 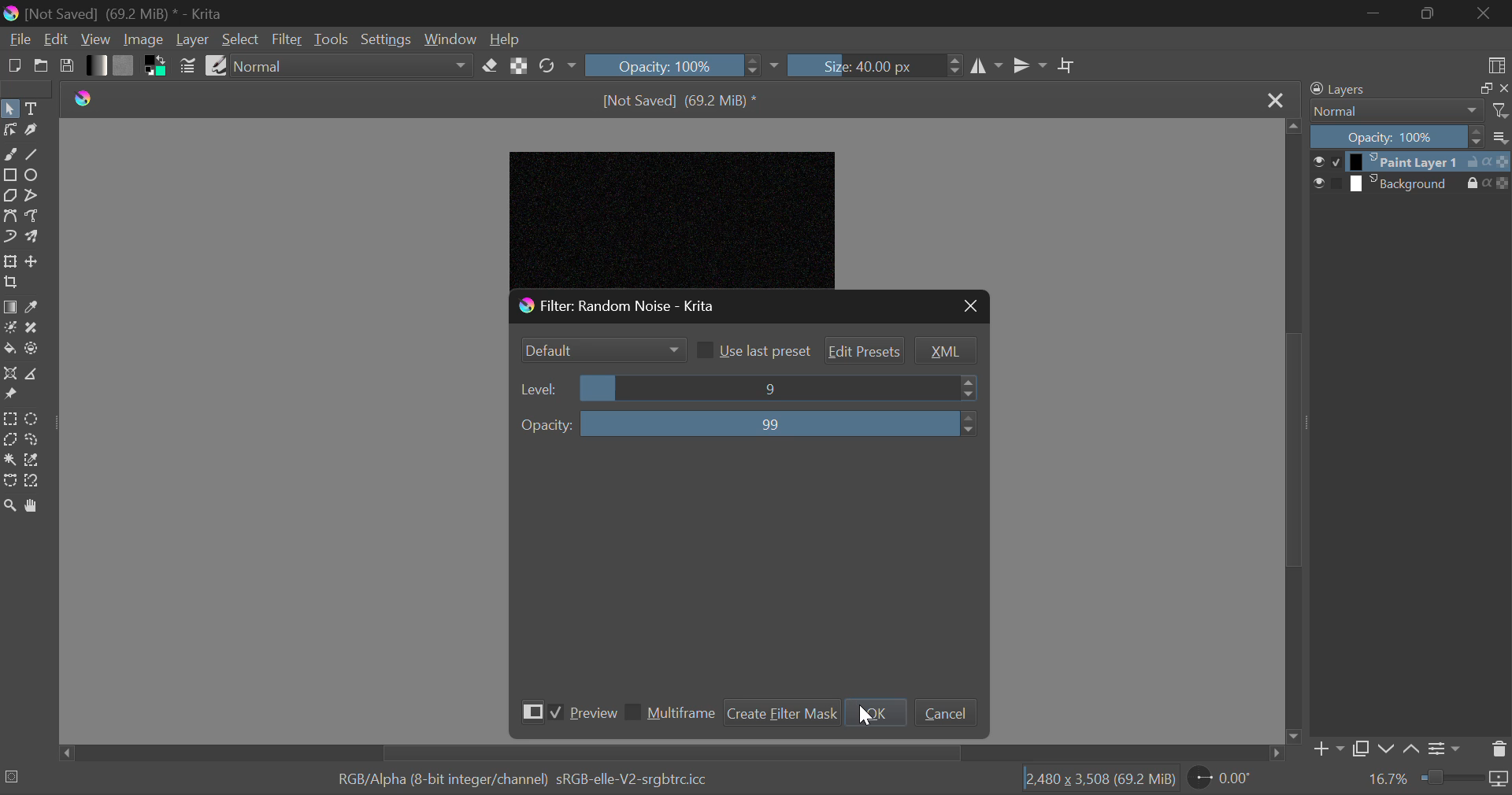 I want to click on Colorize Mask Tool, so click(x=11, y=329).